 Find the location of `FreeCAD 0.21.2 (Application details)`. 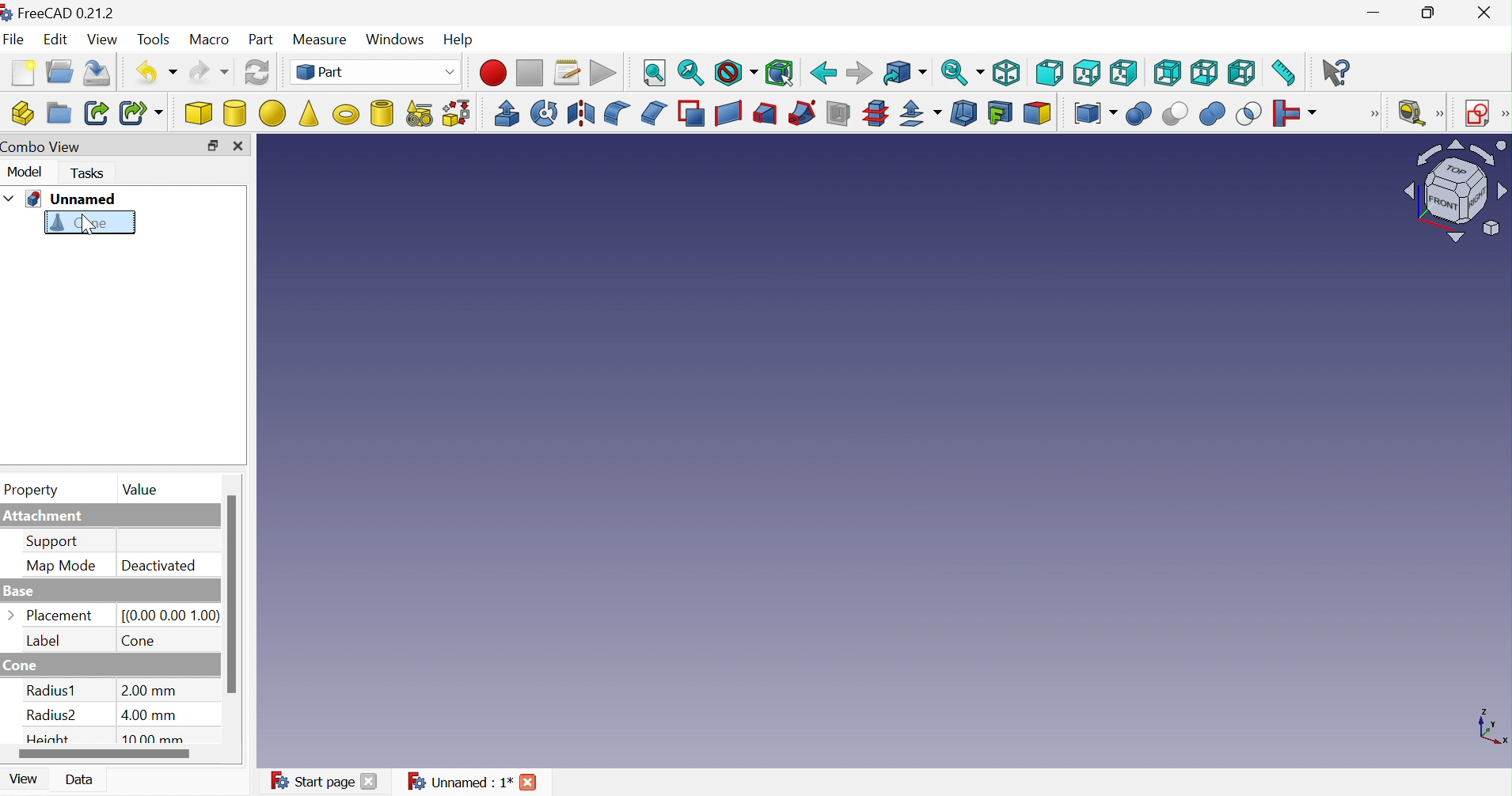

FreeCAD 0.21.2 (Application details) is located at coordinates (59, 13).